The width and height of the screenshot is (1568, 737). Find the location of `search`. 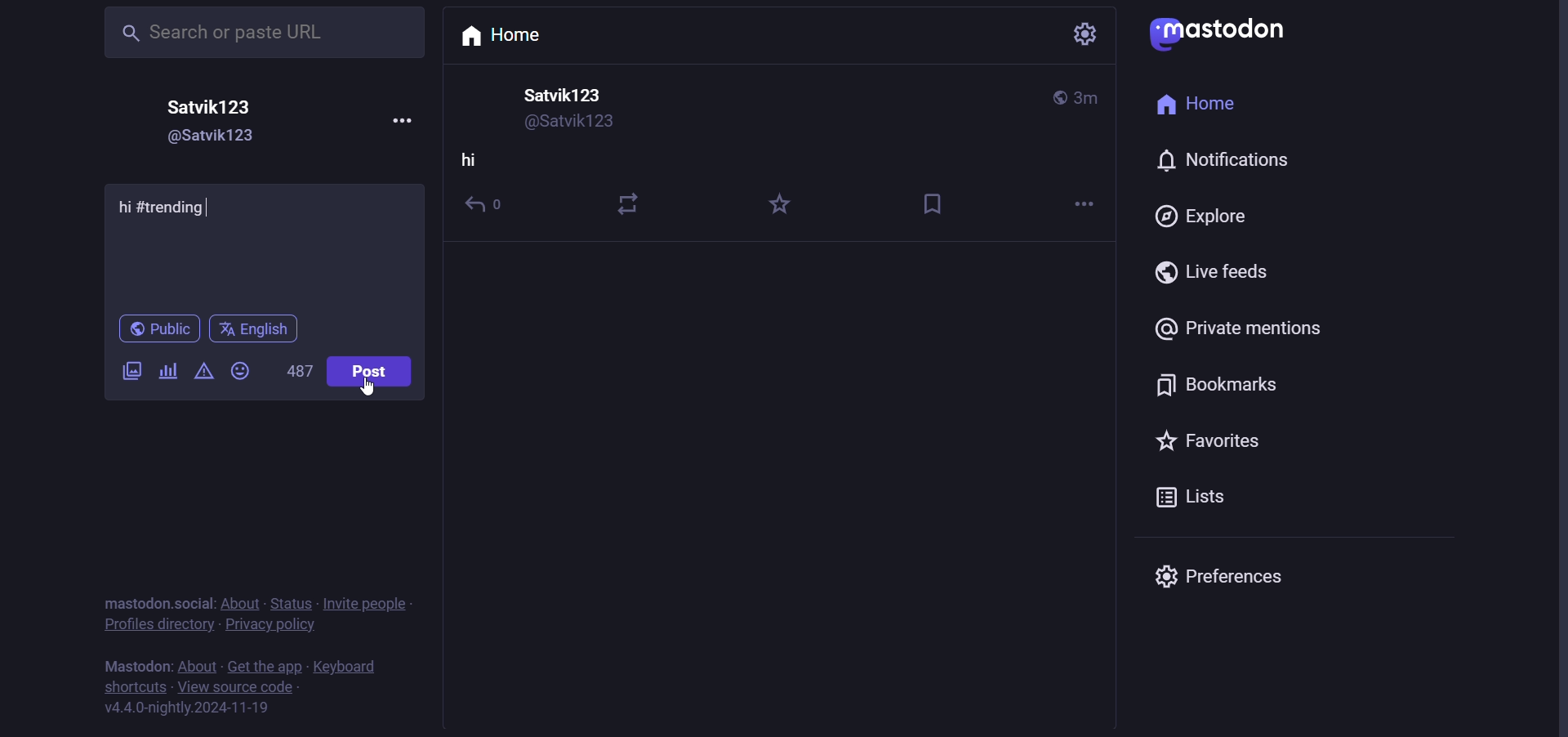

search is located at coordinates (260, 33).